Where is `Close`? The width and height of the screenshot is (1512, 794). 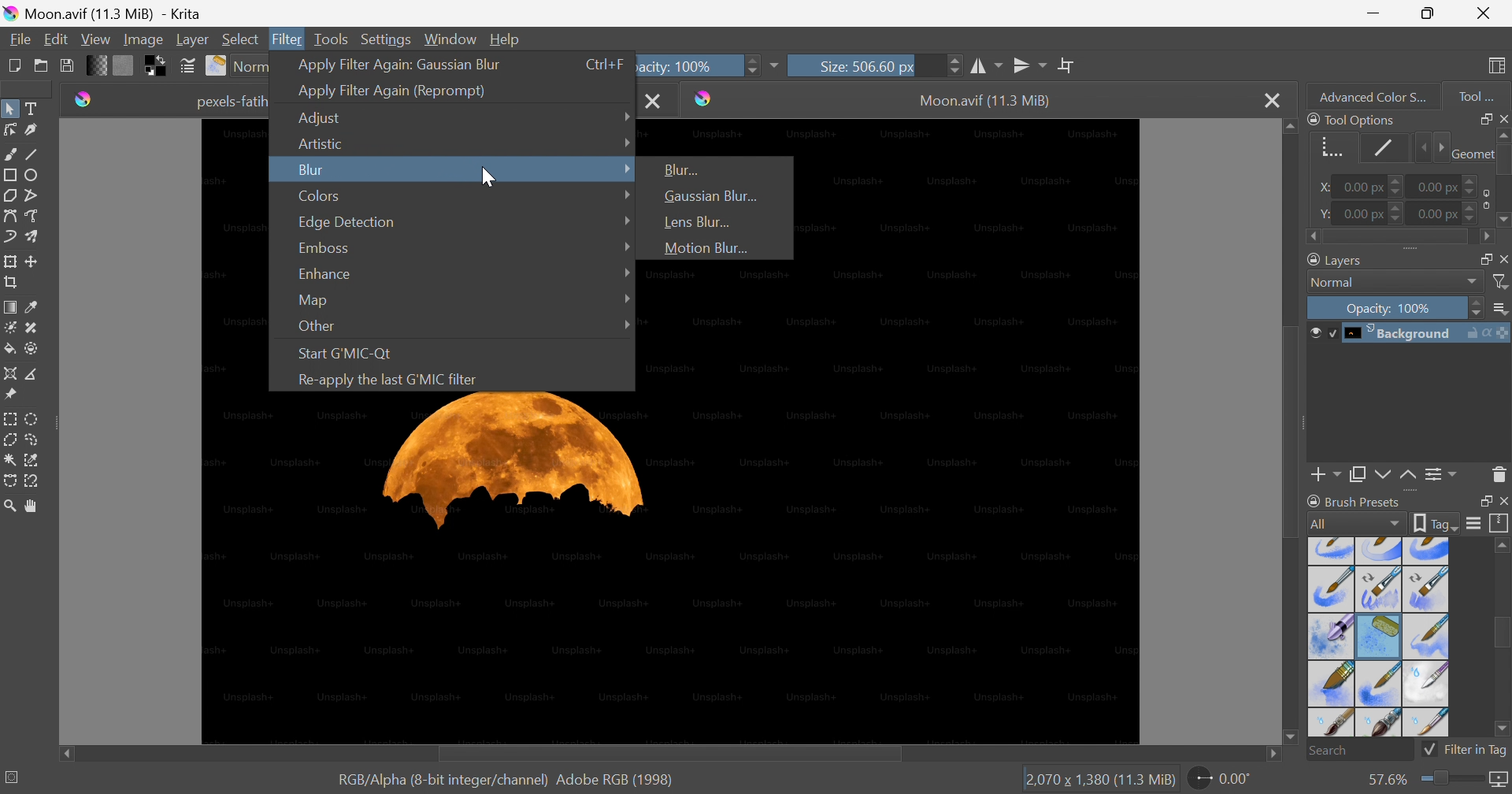
Close is located at coordinates (1503, 501).